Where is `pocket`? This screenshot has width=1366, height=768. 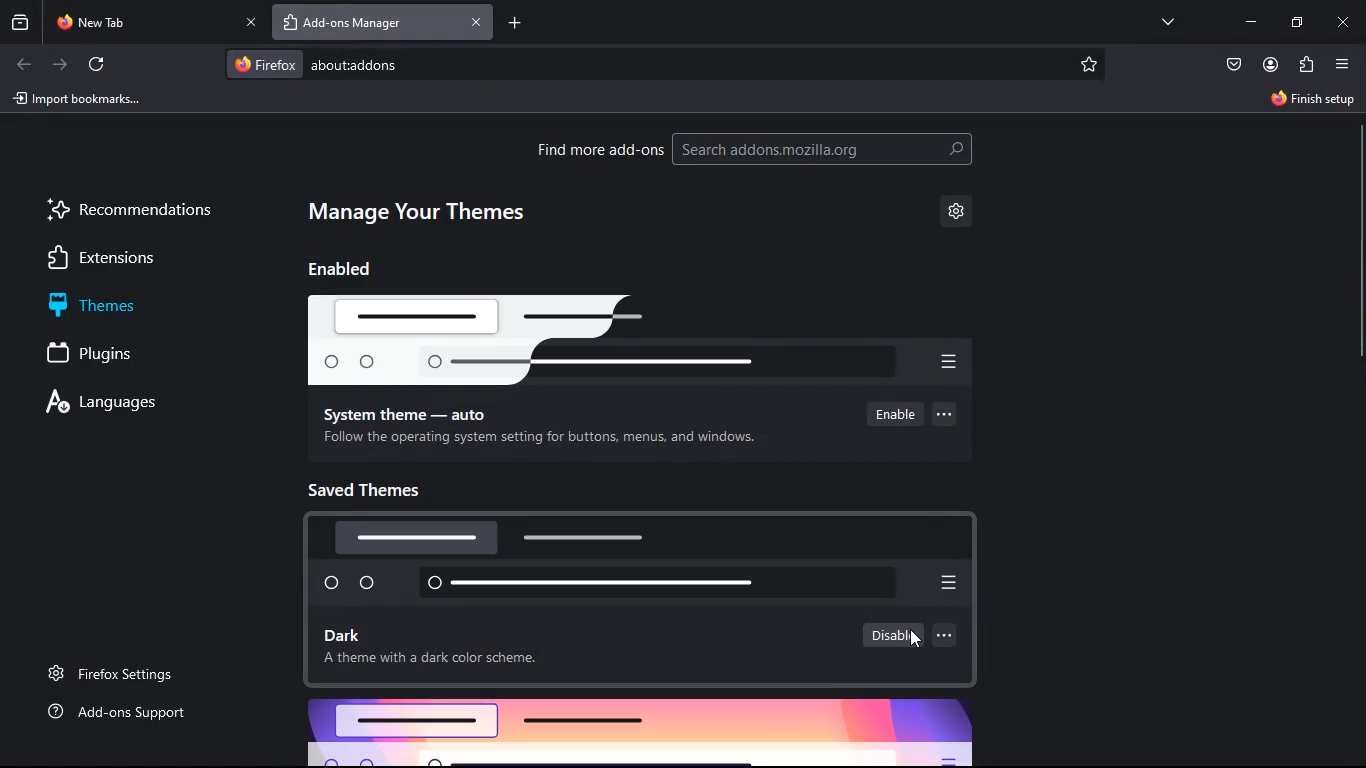
pocket is located at coordinates (1233, 64).